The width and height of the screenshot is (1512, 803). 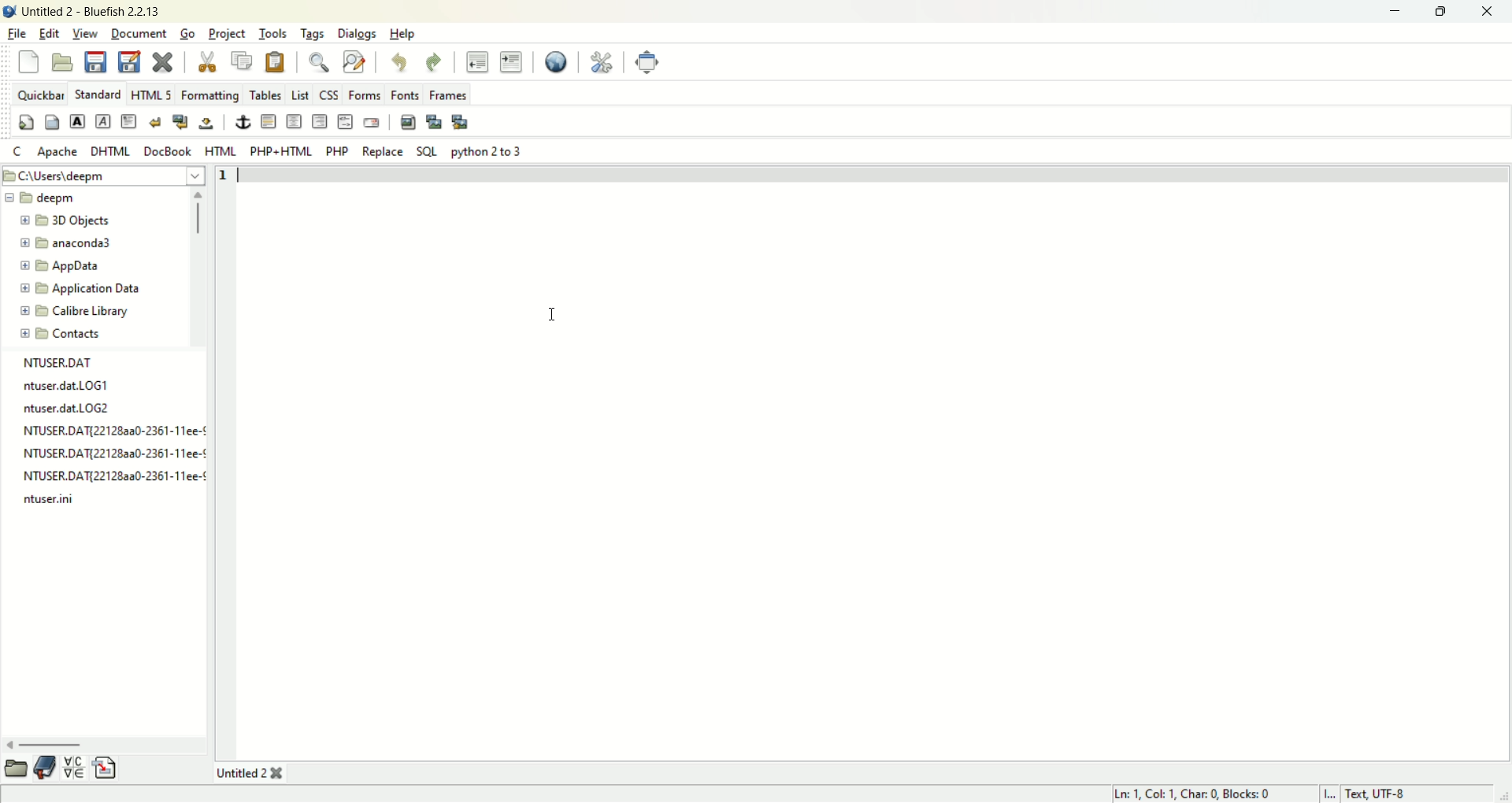 What do you see at coordinates (16, 35) in the screenshot?
I see `file` at bounding box center [16, 35].